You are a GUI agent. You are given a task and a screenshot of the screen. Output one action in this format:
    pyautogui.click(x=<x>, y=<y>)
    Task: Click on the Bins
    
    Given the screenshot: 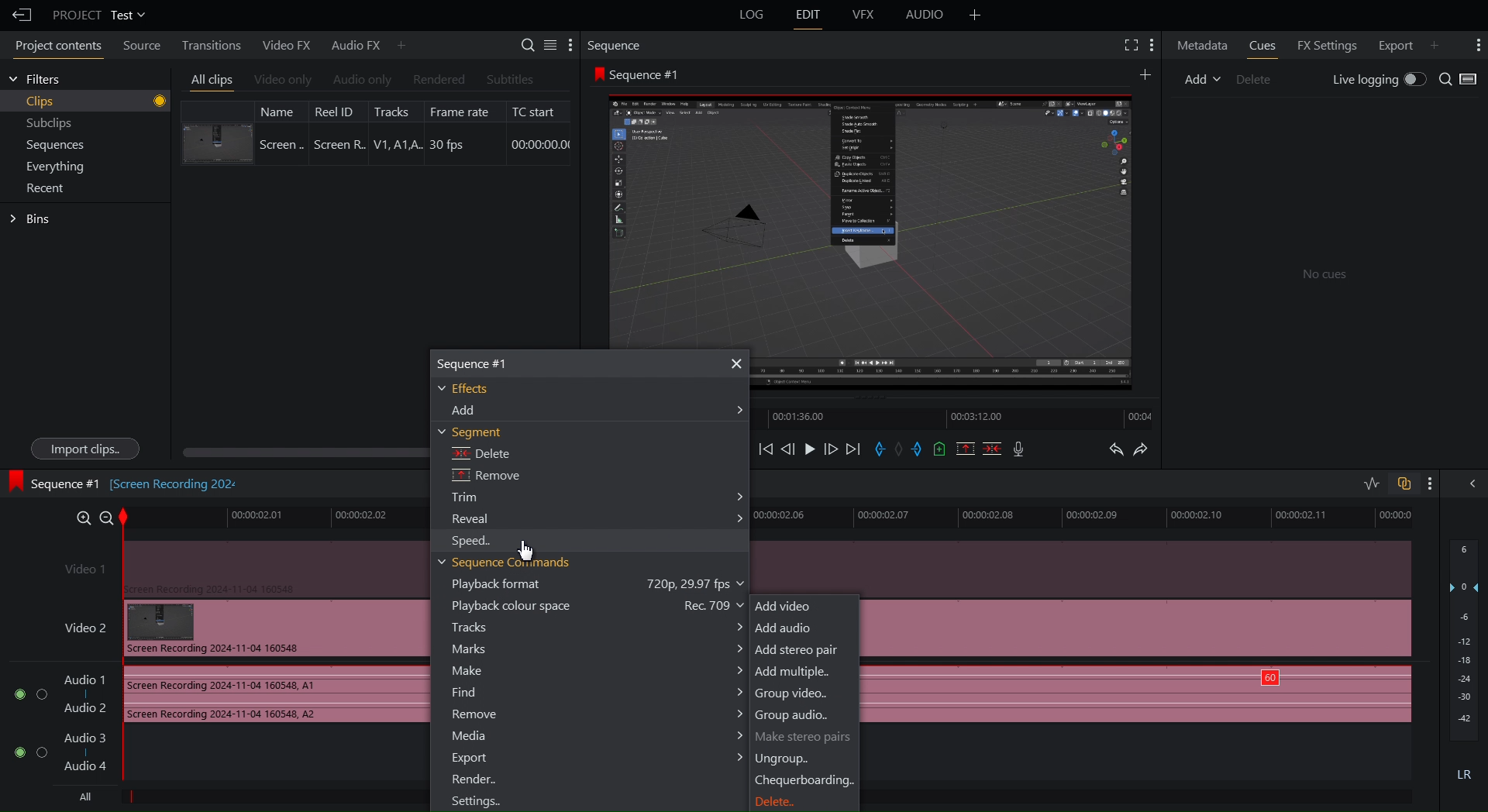 What is the action you would take?
    pyautogui.click(x=33, y=219)
    